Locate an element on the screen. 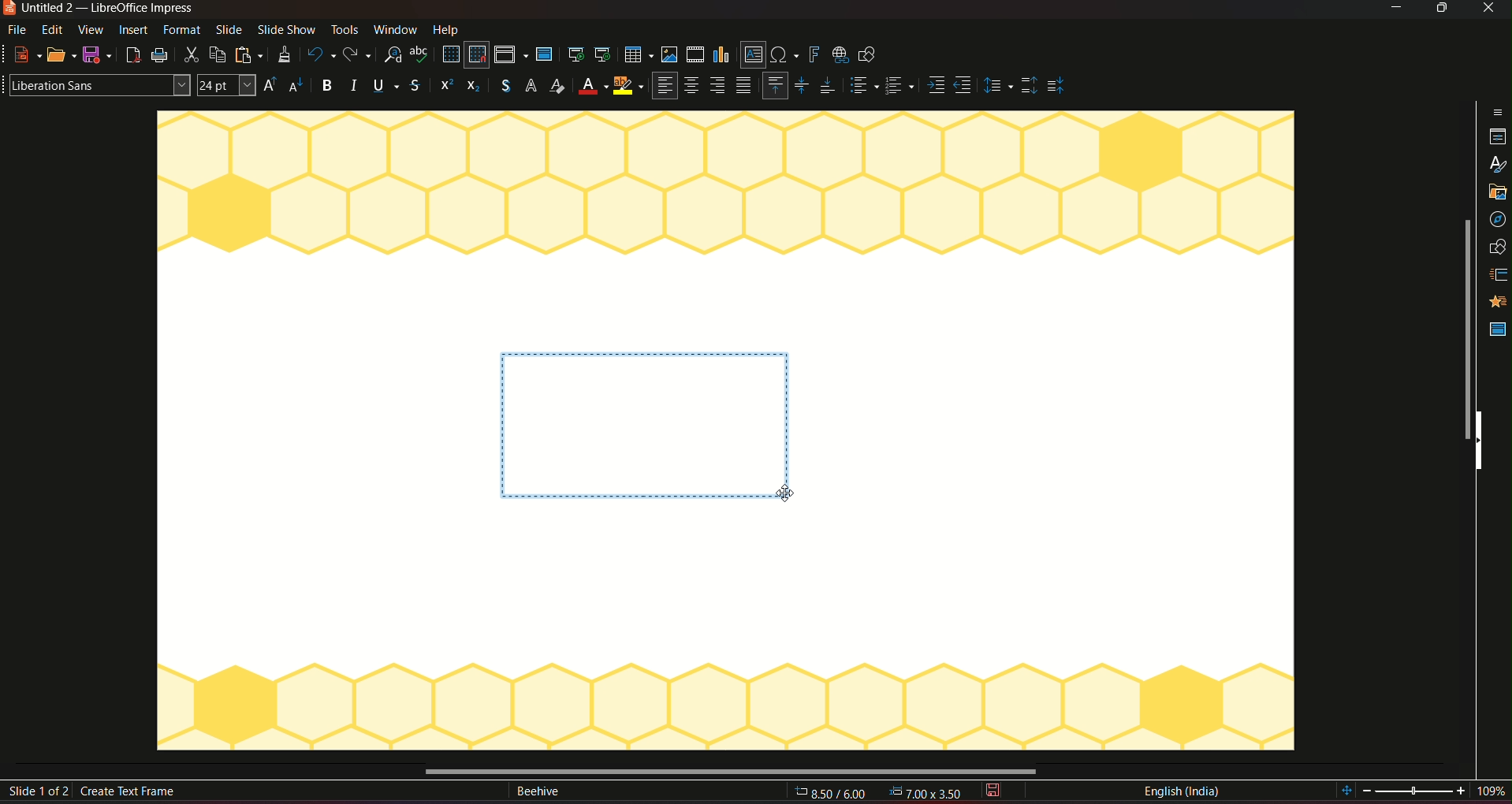  paragraph style 1 is located at coordinates (862, 87).